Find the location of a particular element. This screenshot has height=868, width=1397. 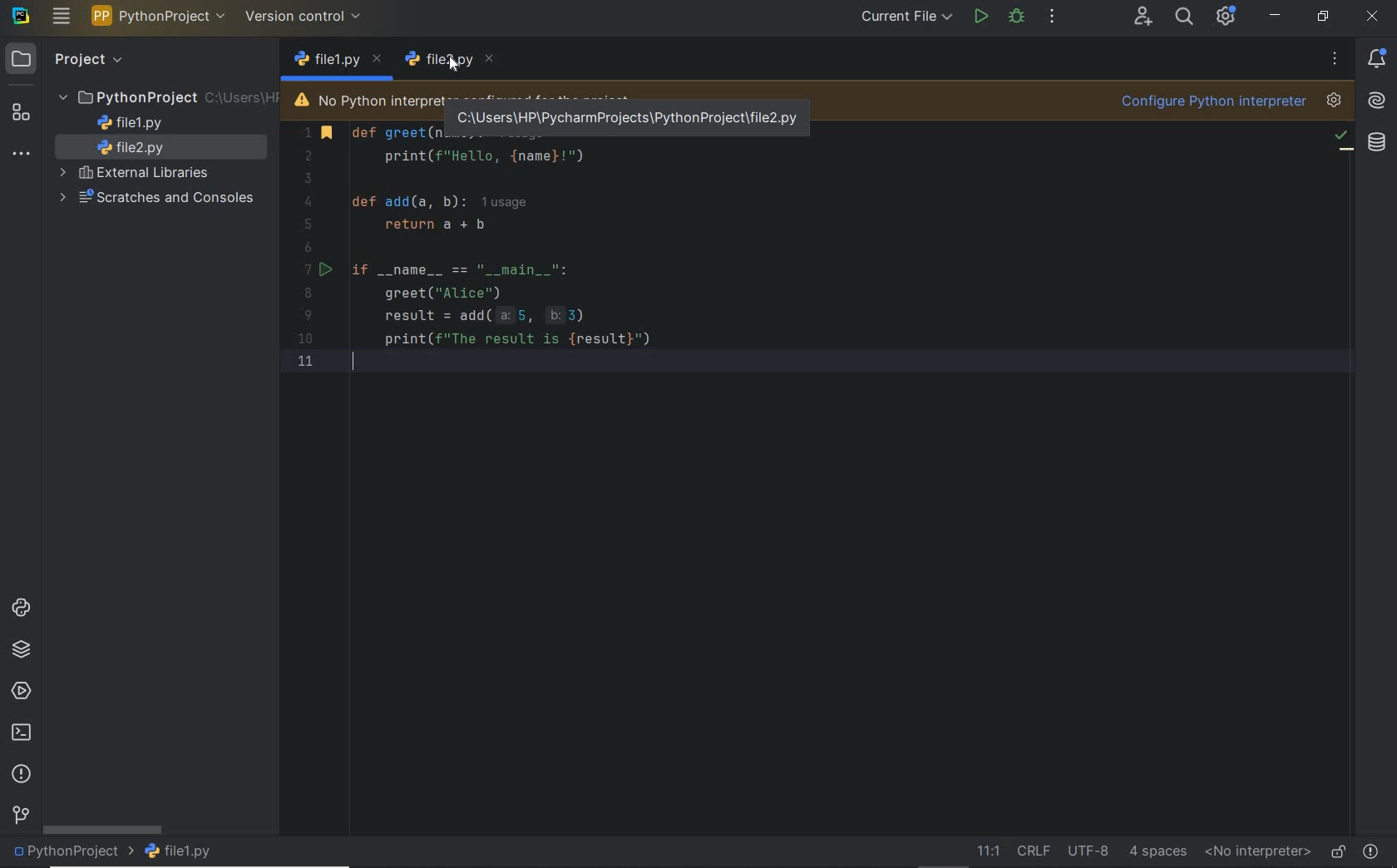

notifications is located at coordinates (1380, 58).